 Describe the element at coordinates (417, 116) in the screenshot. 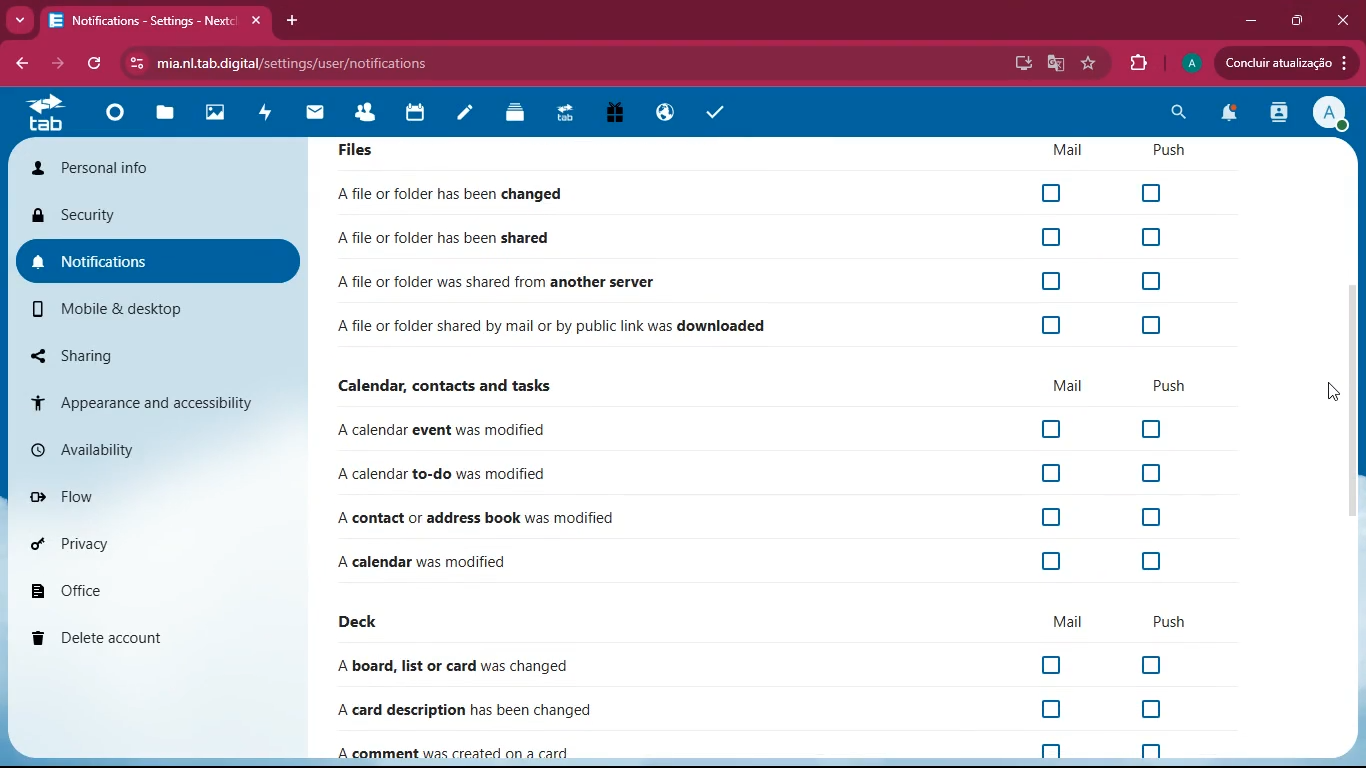

I see `calendar` at that location.